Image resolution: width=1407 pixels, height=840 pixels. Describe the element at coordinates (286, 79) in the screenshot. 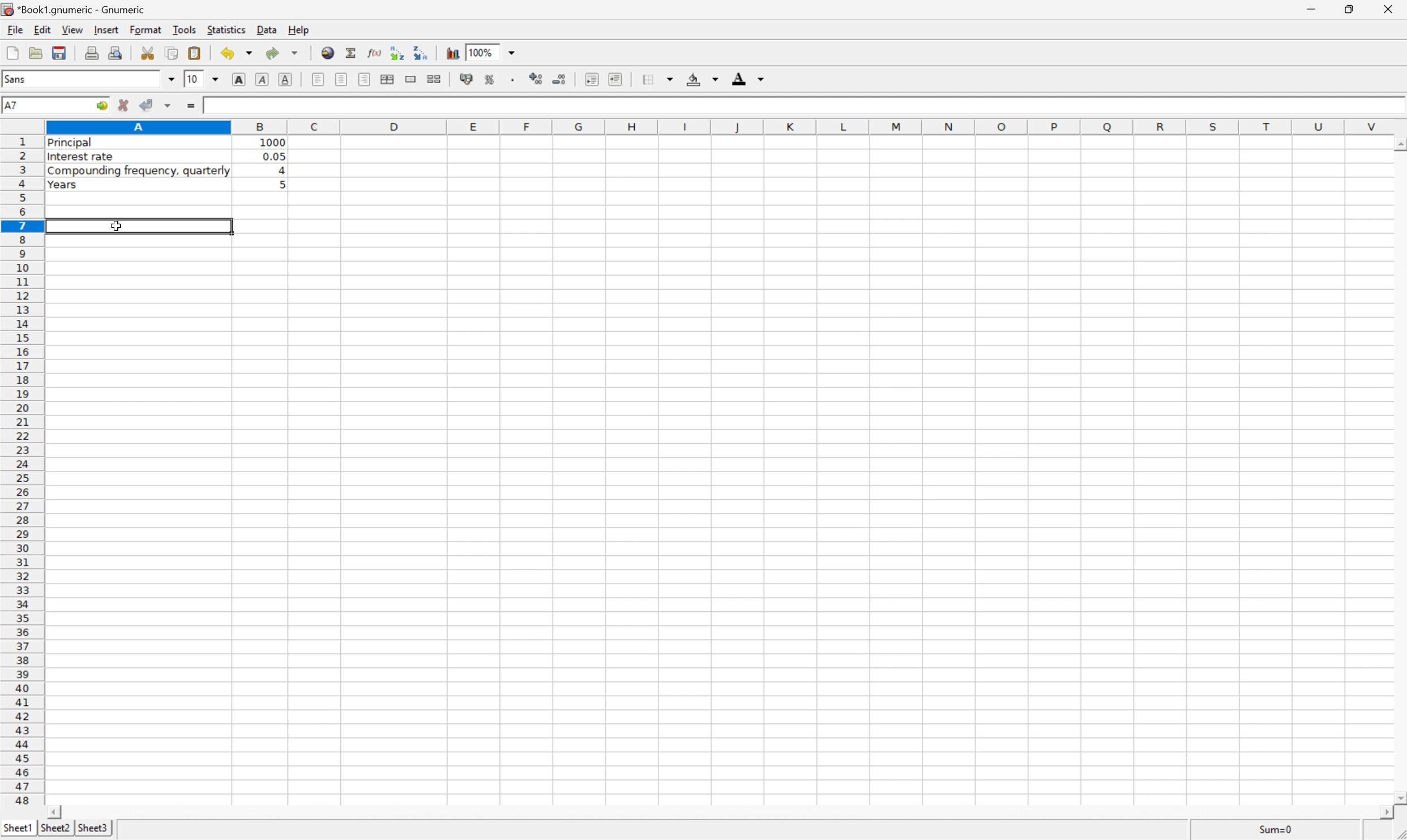

I see `underline` at that location.